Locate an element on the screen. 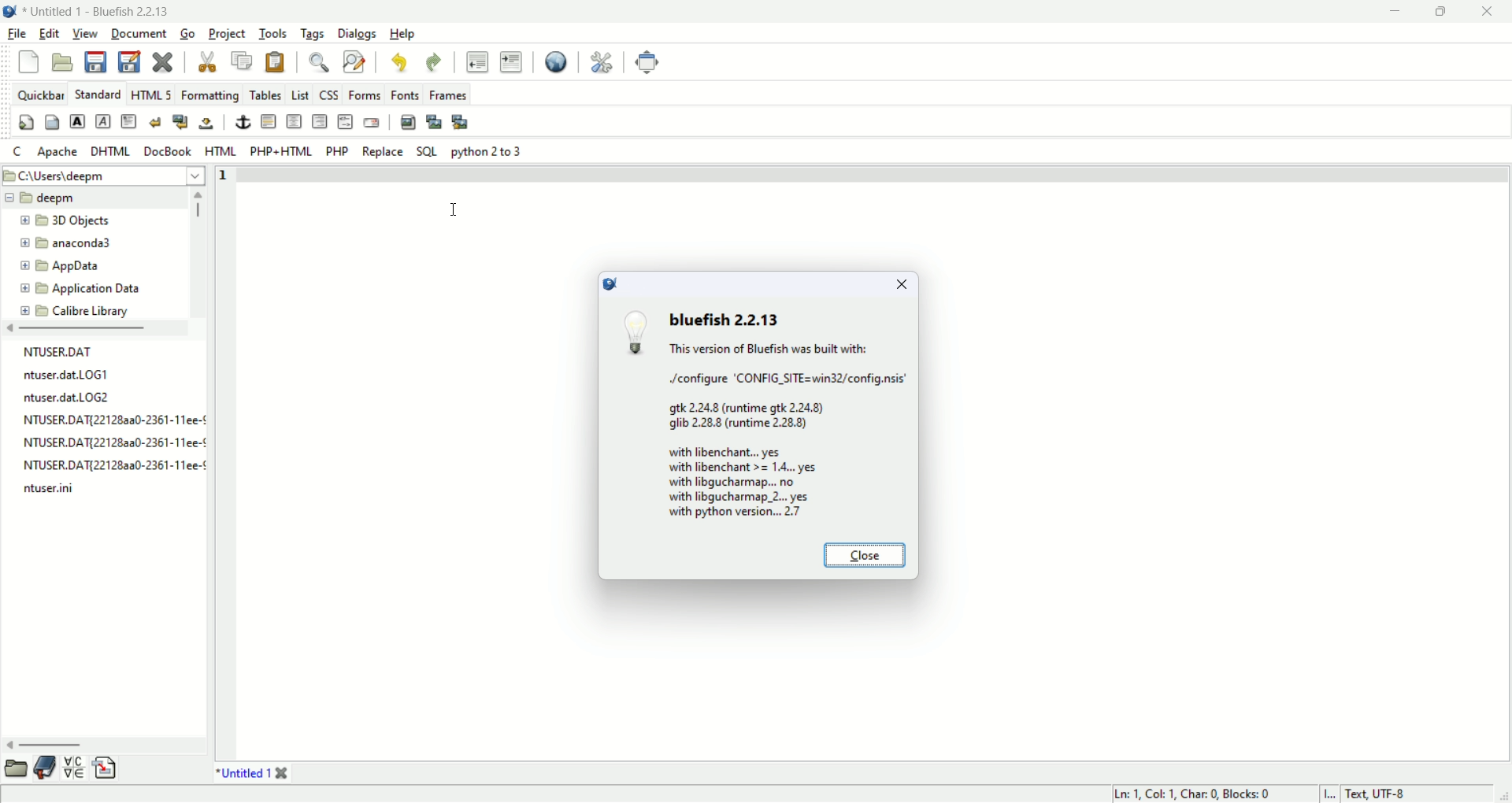 The height and width of the screenshot is (803, 1512). version number is located at coordinates (725, 321).